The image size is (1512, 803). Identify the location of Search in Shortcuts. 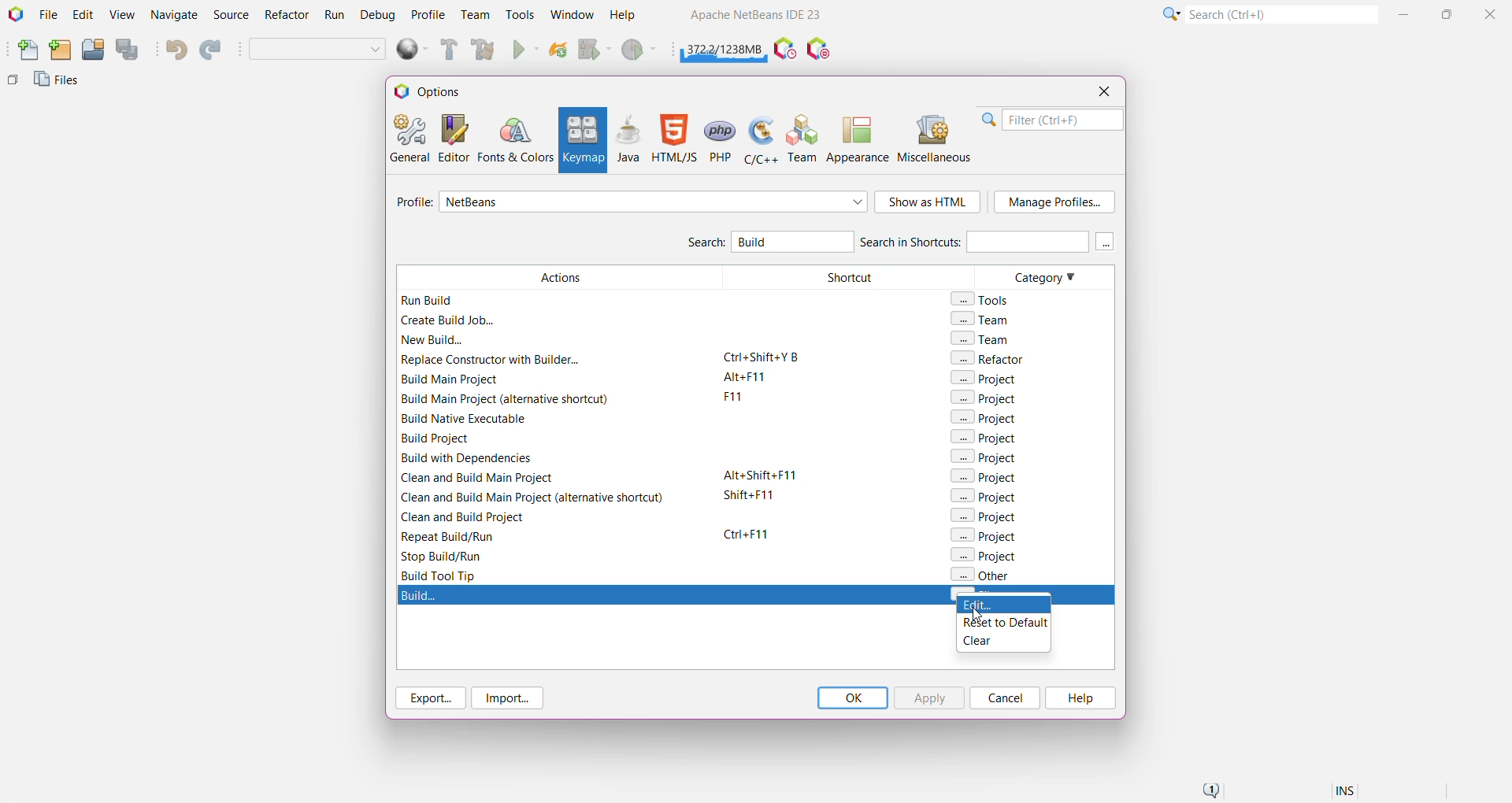
(973, 241).